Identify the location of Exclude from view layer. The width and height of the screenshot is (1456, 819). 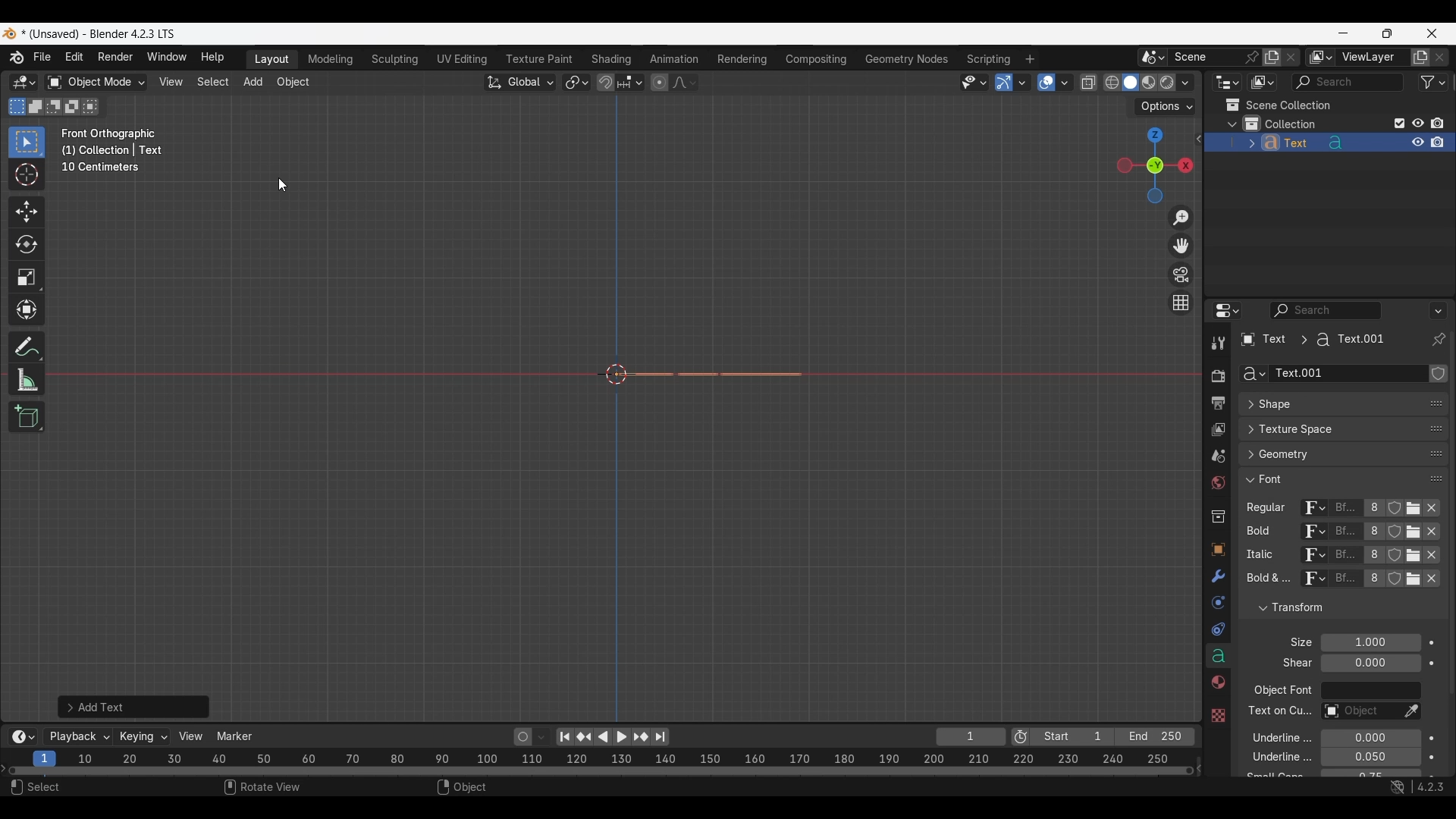
(1400, 123).